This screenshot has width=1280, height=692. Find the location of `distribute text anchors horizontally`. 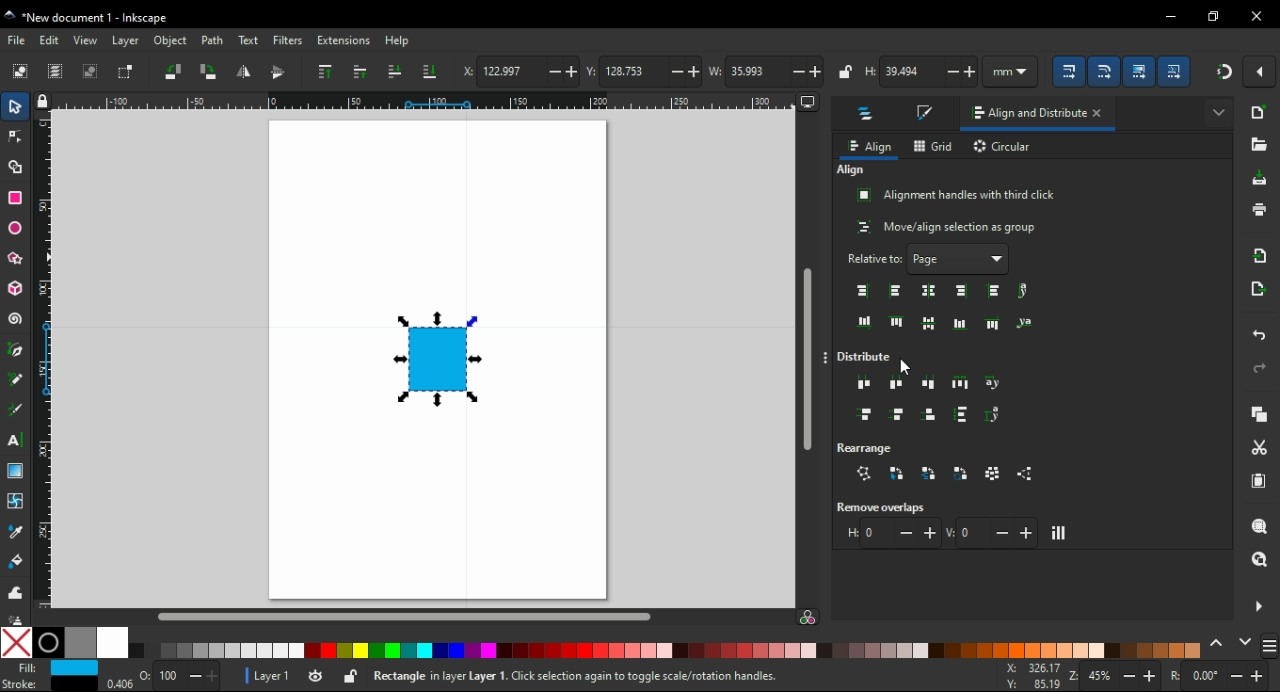

distribute text anchors horizontally is located at coordinates (994, 384).